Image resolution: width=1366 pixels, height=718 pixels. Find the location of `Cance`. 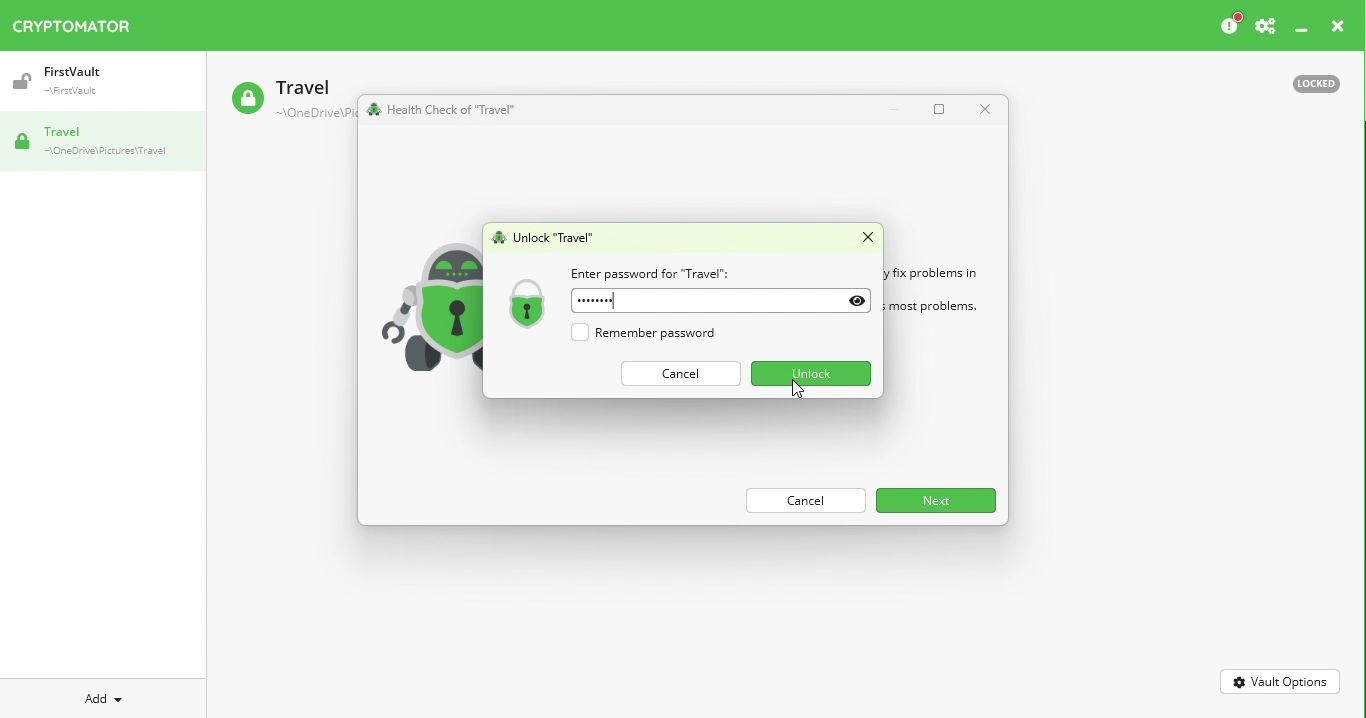

Cance is located at coordinates (808, 500).